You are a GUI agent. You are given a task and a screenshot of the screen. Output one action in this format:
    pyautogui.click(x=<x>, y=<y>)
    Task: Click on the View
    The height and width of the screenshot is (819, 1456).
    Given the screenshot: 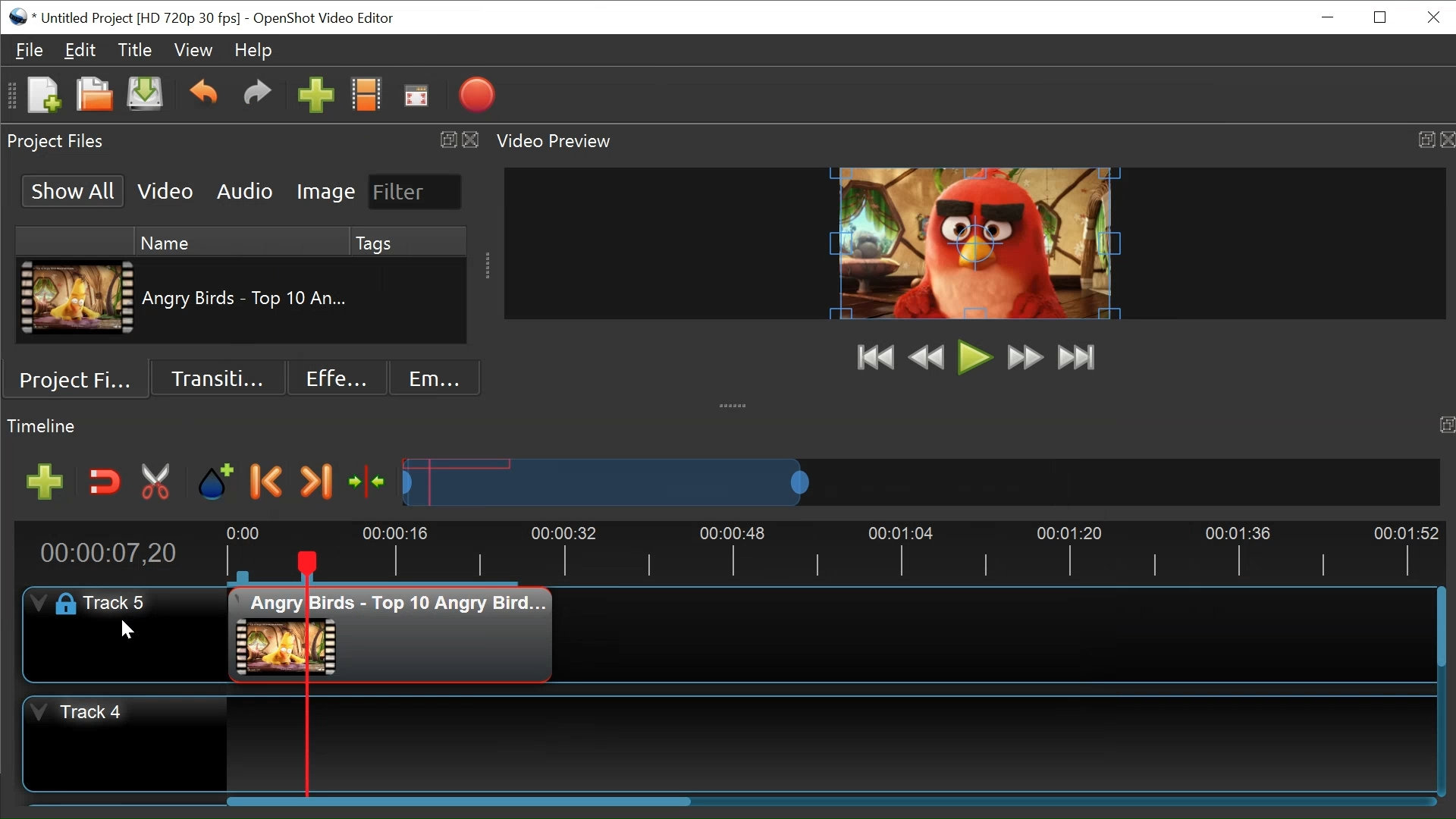 What is the action you would take?
    pyautogui.click(x=193, y=50)
    